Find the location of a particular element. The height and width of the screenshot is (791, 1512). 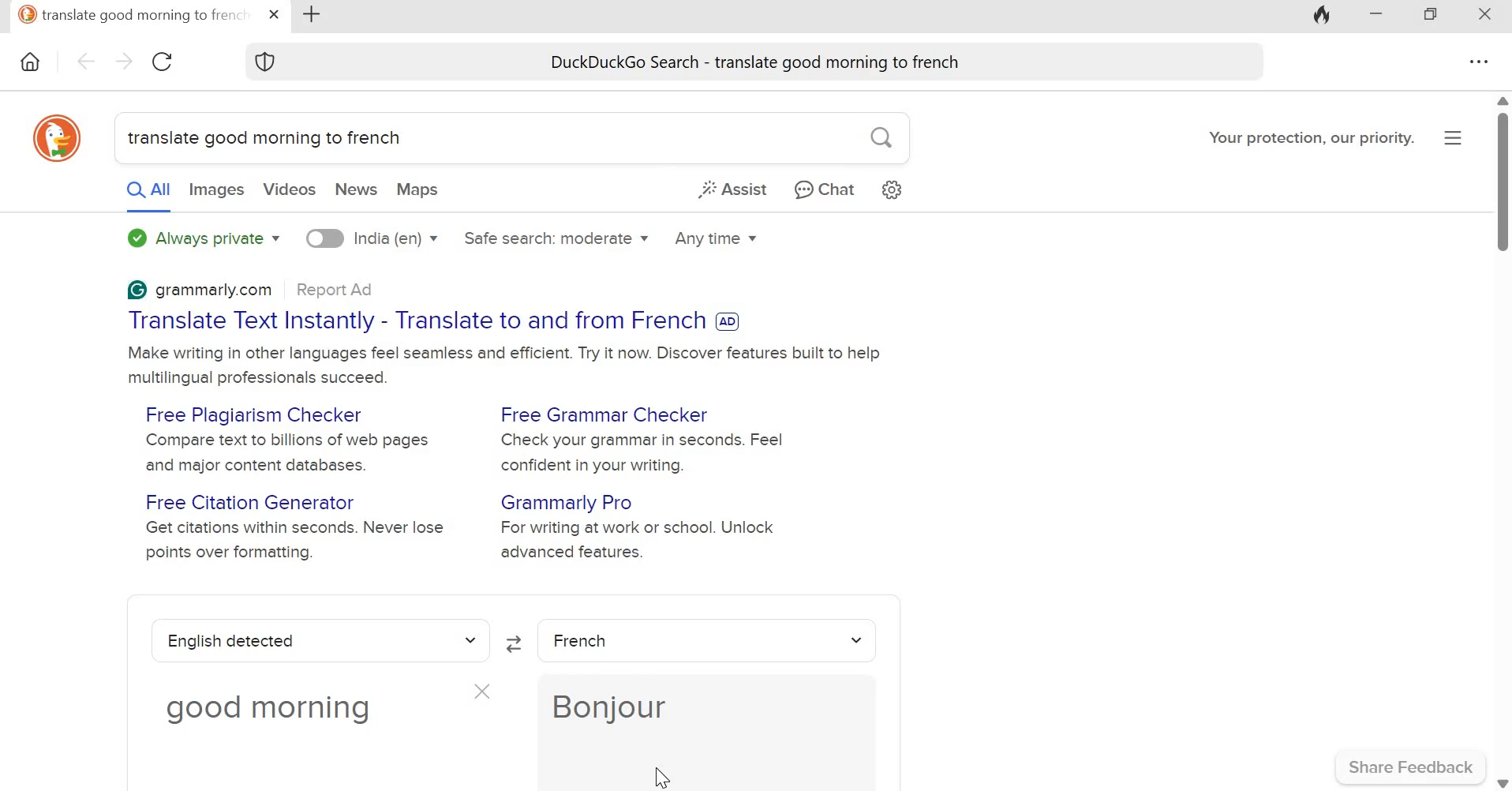

Free Citation Generator is located at coordinates (252, 501).